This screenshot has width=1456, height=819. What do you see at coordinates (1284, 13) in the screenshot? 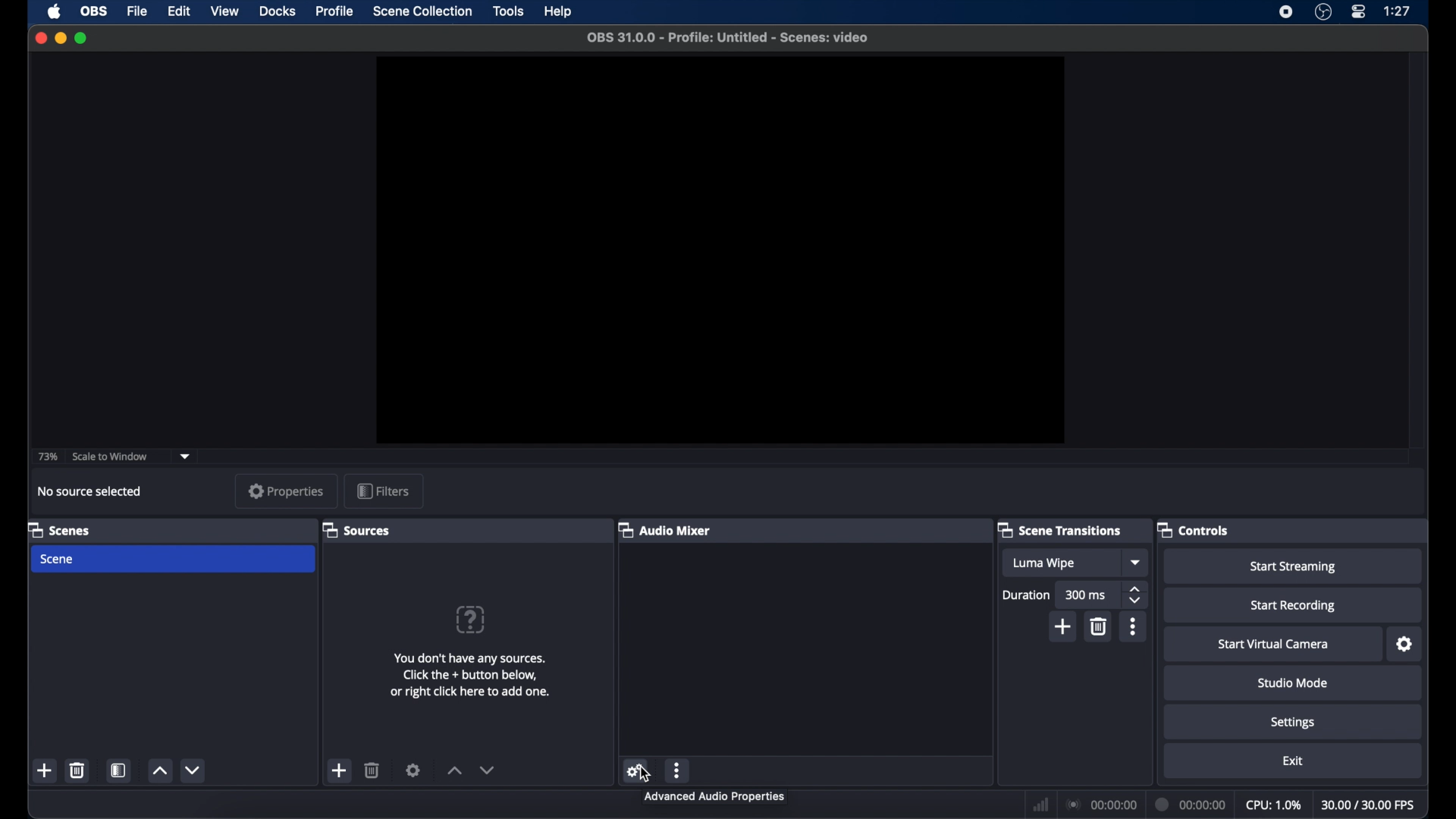
I see `screen recorder` at bounding box center [1284, 13].